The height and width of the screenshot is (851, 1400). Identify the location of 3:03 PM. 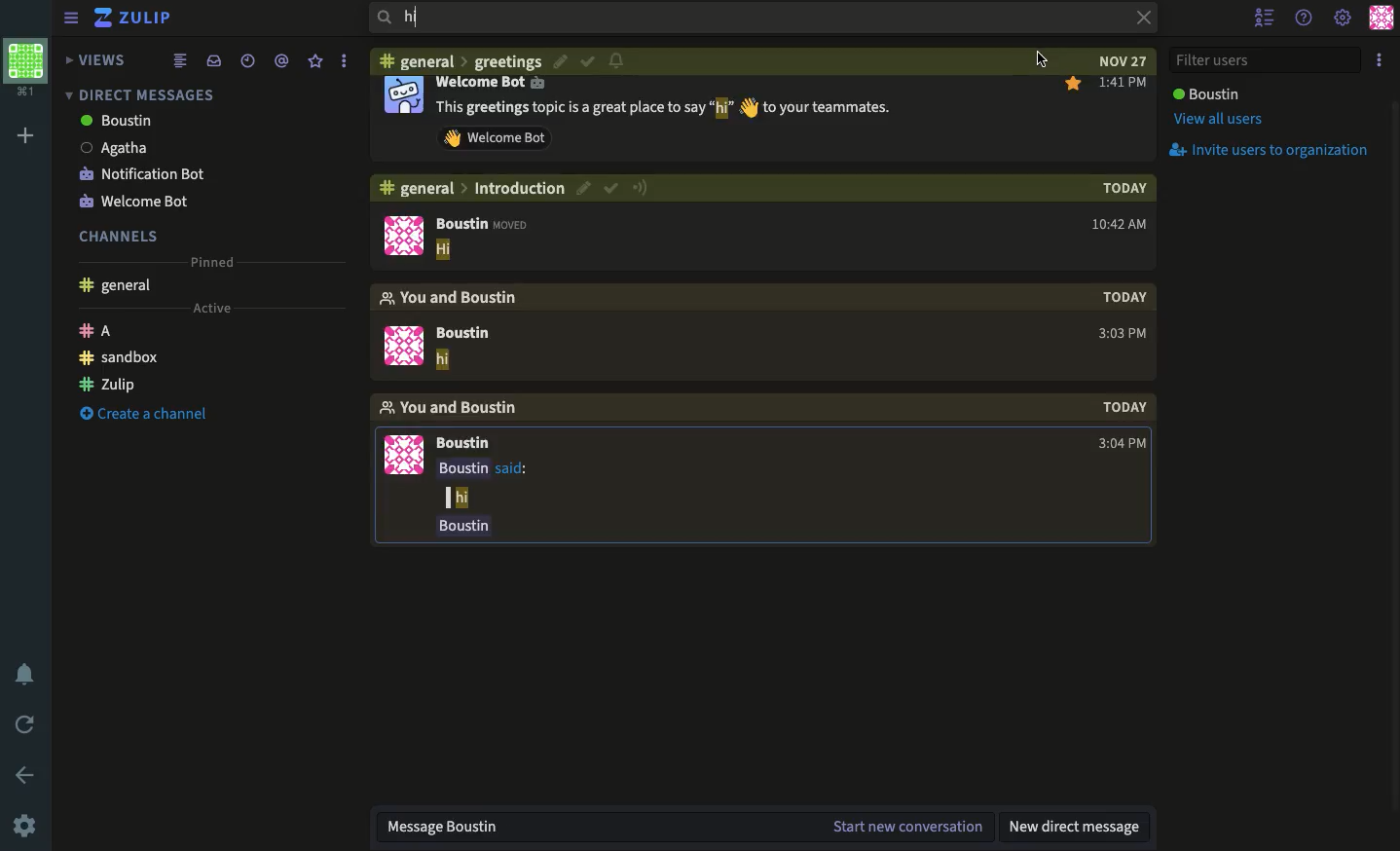
(1123, 333).